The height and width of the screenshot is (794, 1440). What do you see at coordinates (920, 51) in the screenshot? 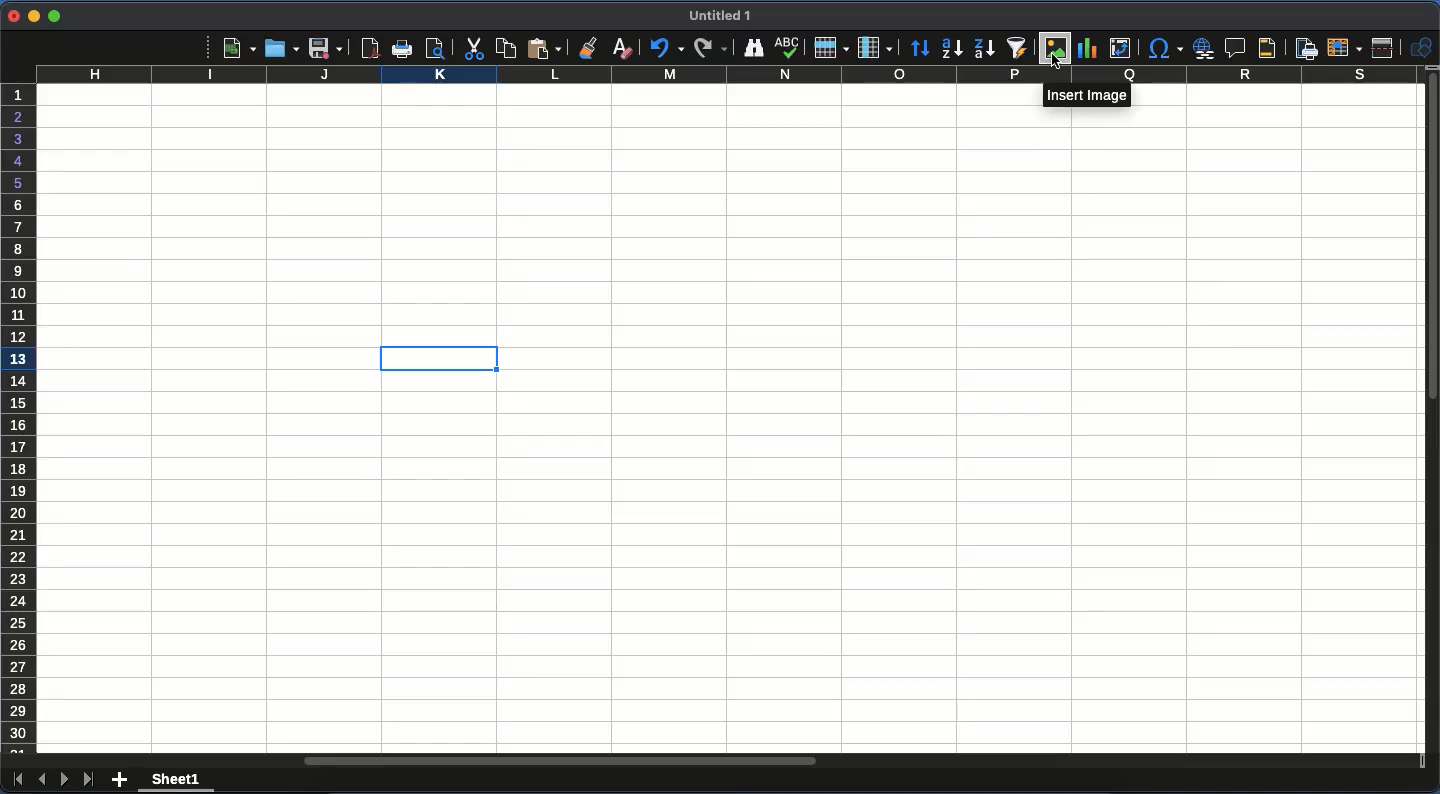
I see `sort` at bounding box center [920, 51].